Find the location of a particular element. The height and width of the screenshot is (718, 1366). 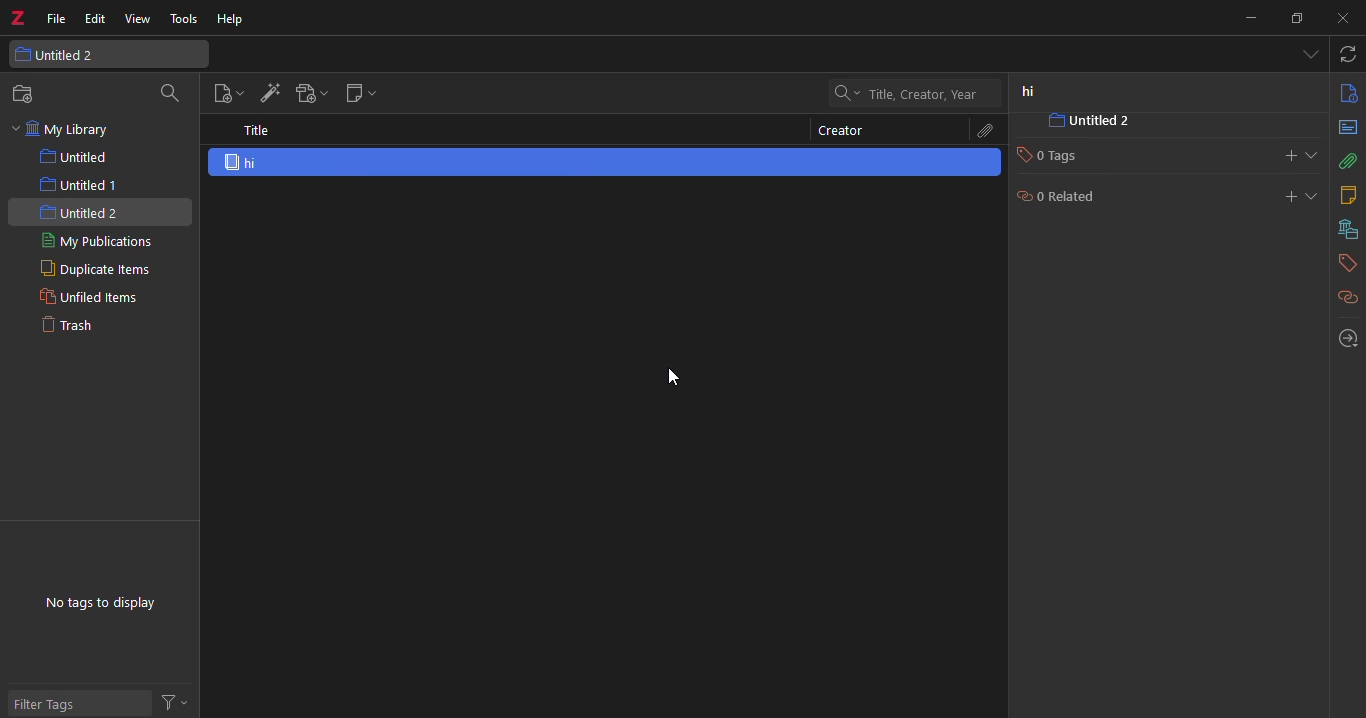

munimize is located at coordinates (1249, 17).